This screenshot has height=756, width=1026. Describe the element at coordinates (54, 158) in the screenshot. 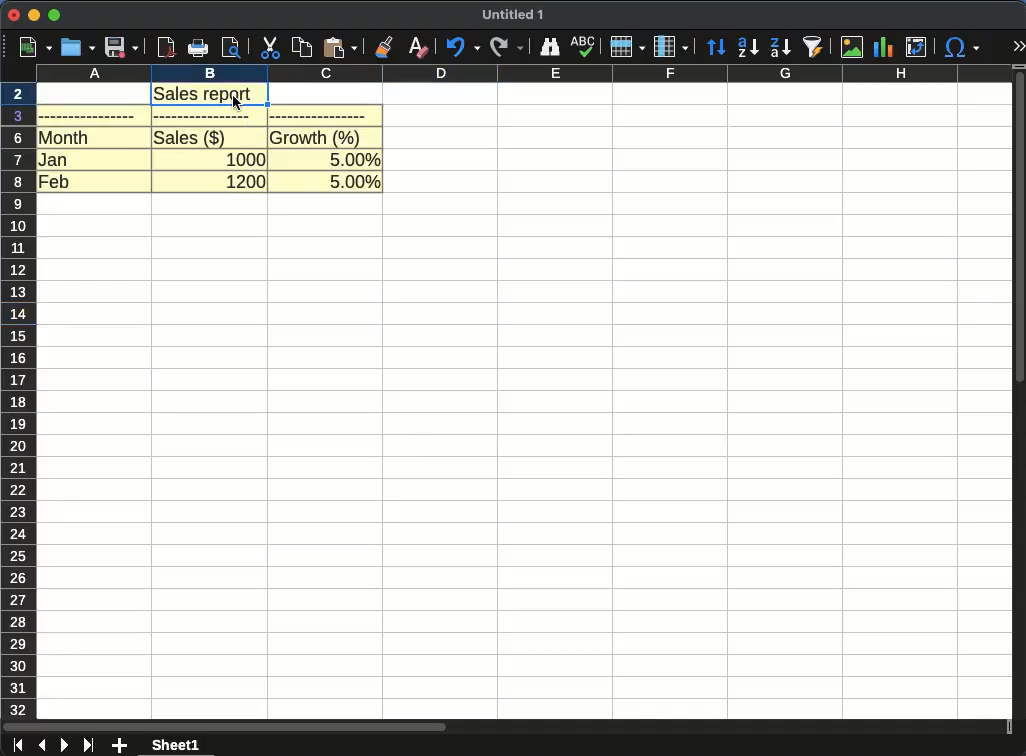

I see `jan` at that location.